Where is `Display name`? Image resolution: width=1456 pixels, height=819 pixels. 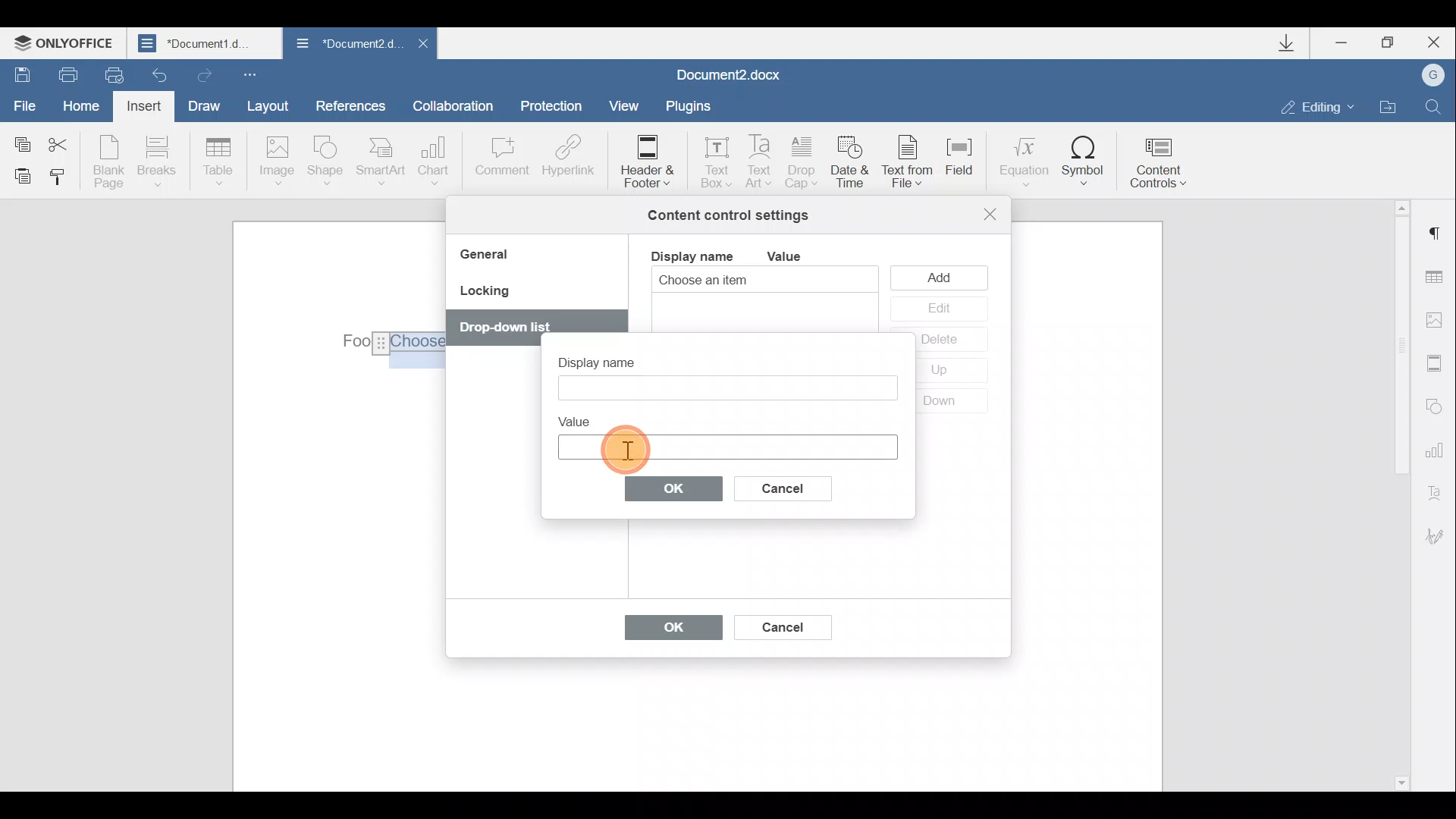 Display name is located at coordinates (691, 255).